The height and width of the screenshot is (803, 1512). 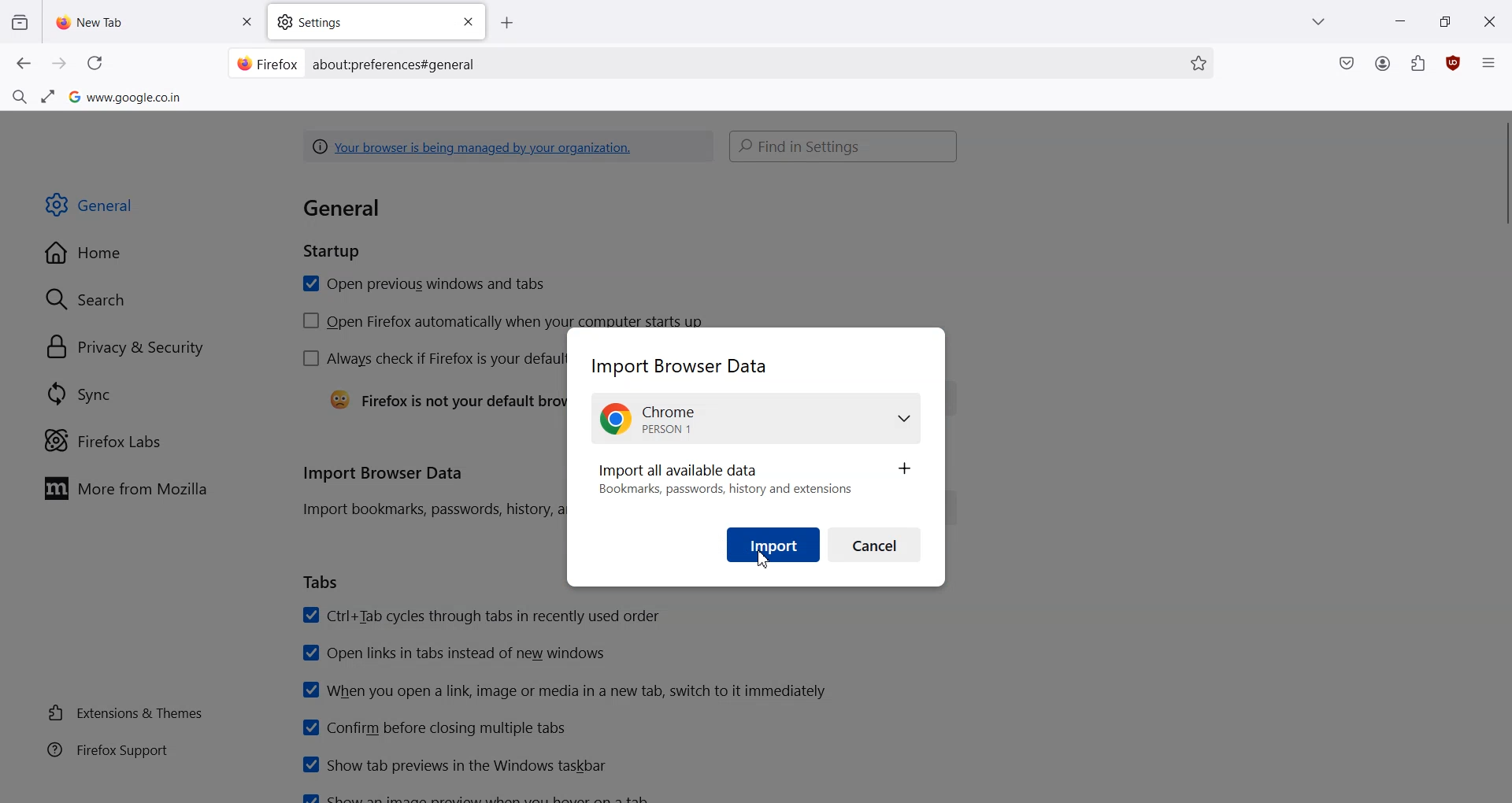 I want to click on Close Tab, so click(x=246, y=22).